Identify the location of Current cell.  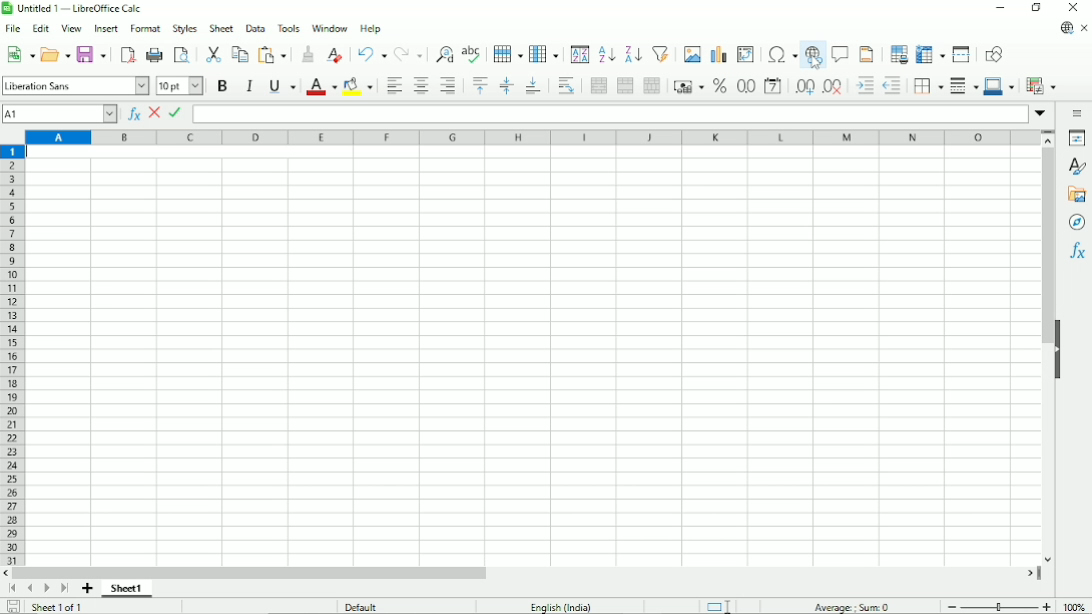
(60, 114).